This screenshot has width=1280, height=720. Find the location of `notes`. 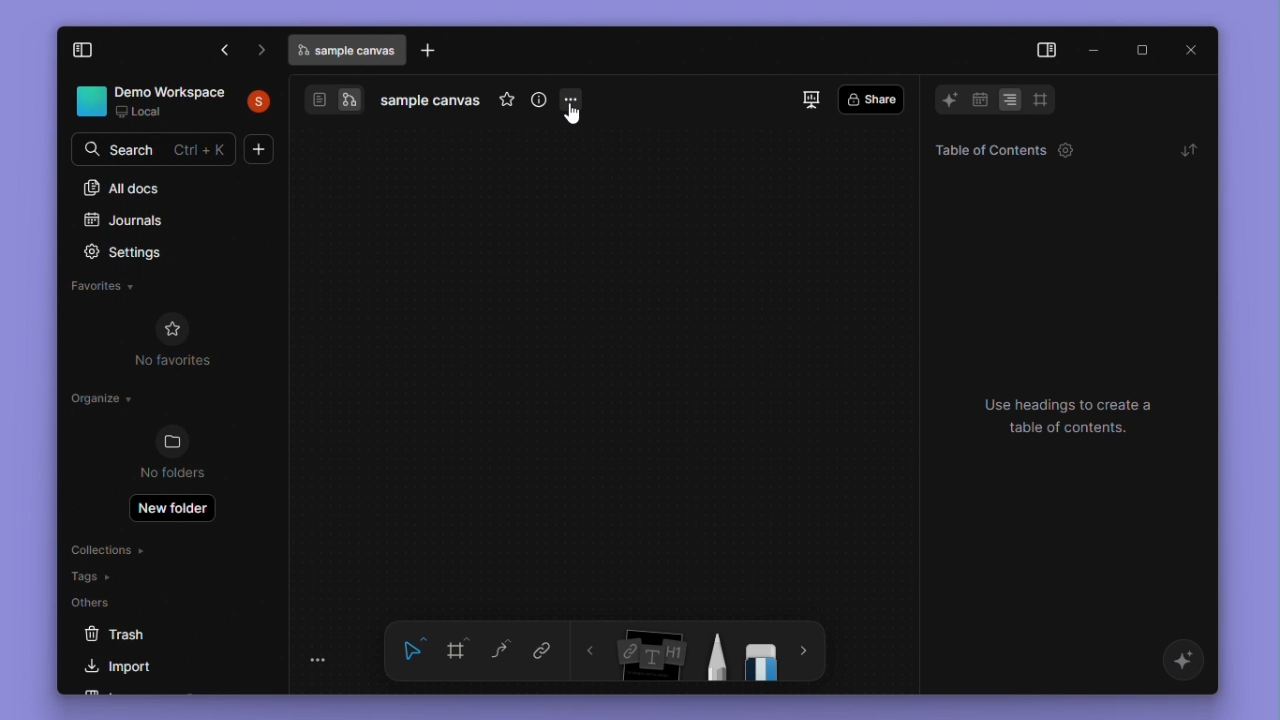

notes is located at coordinates (652, 655).